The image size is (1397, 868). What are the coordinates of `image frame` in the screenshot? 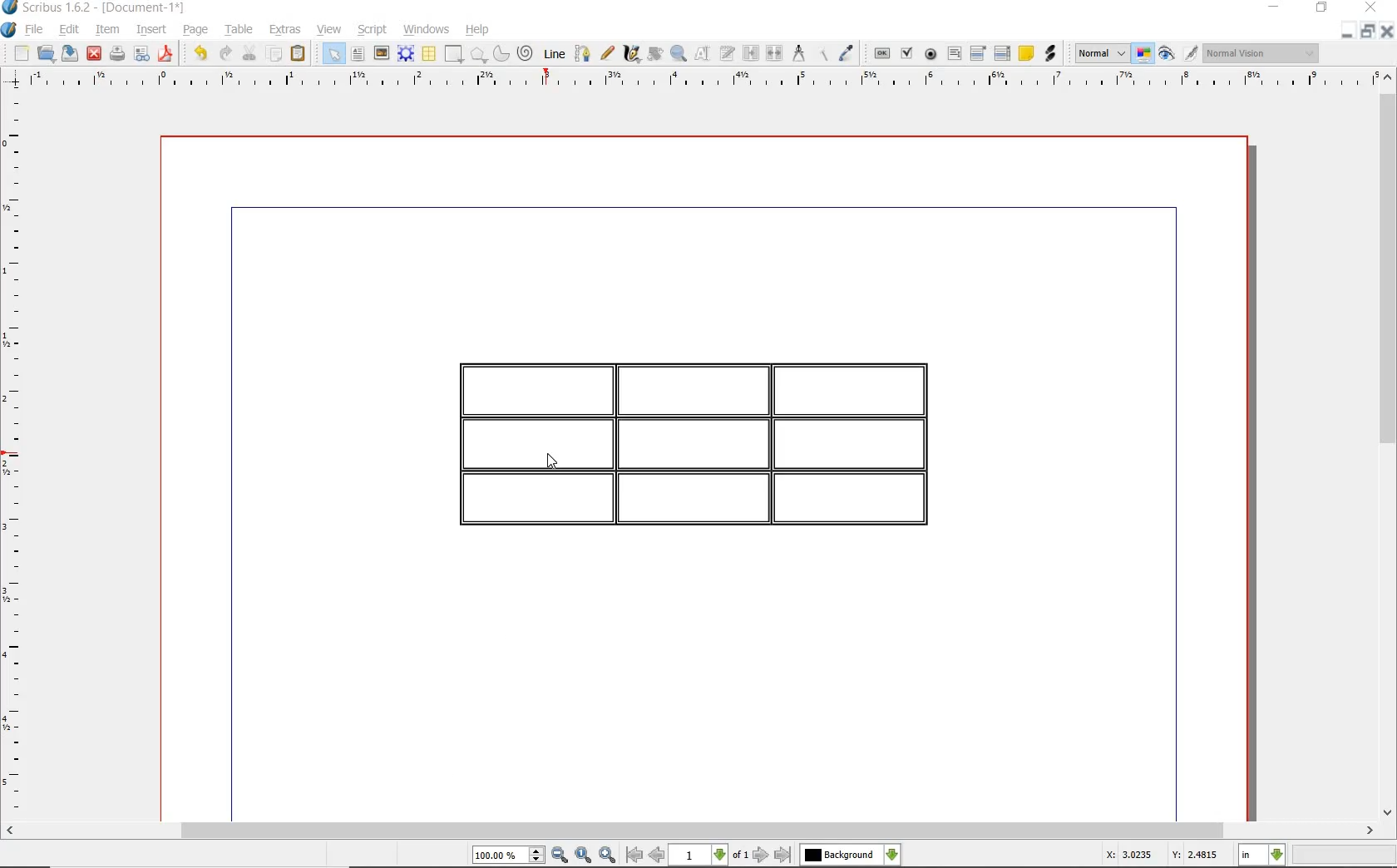 It's located at (382, 54).